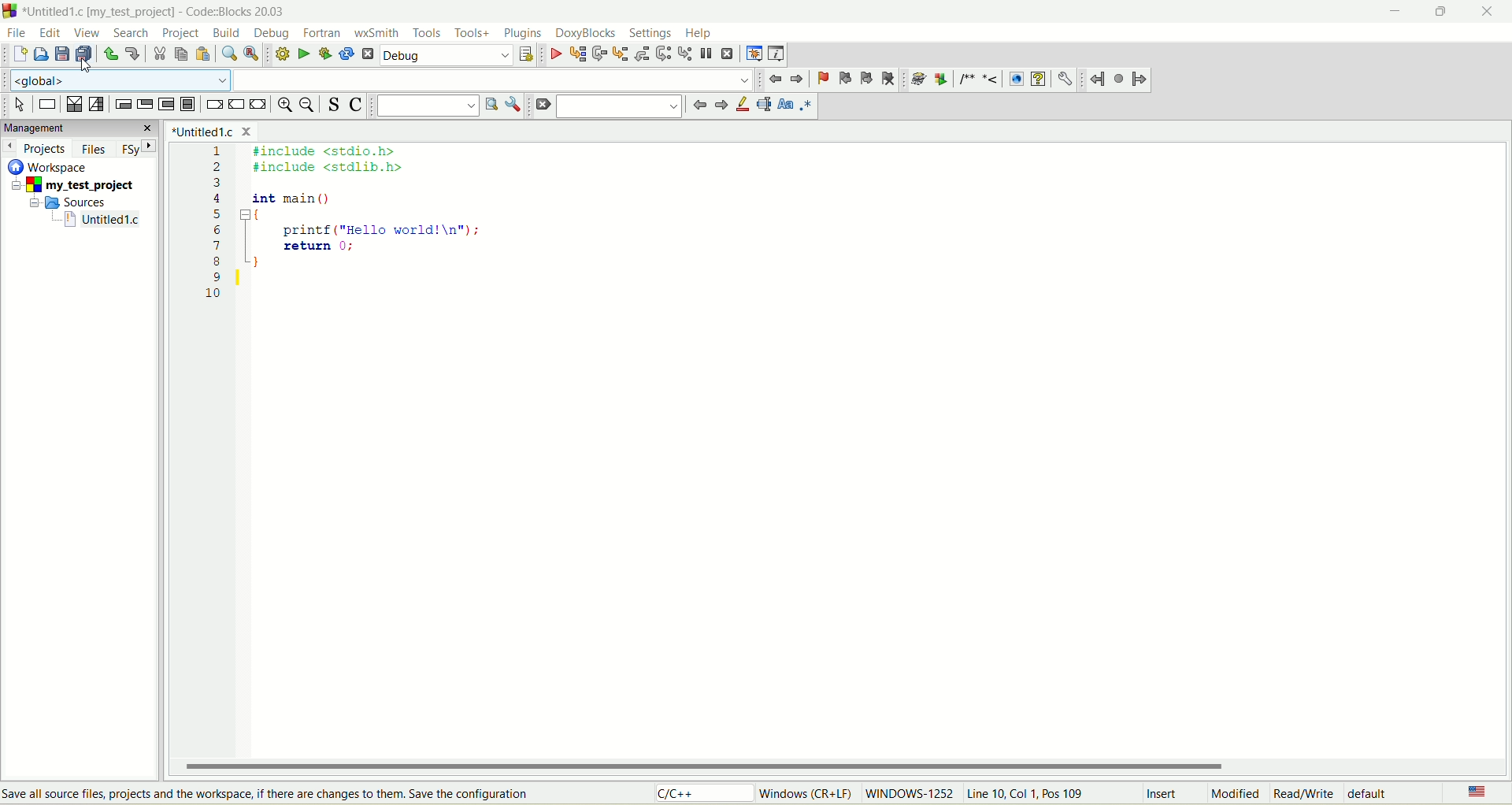 This screenshot has height=805, width=1512. Describe the element at coordinates (182, 54) in the screenshot. I see `copy` at that location.